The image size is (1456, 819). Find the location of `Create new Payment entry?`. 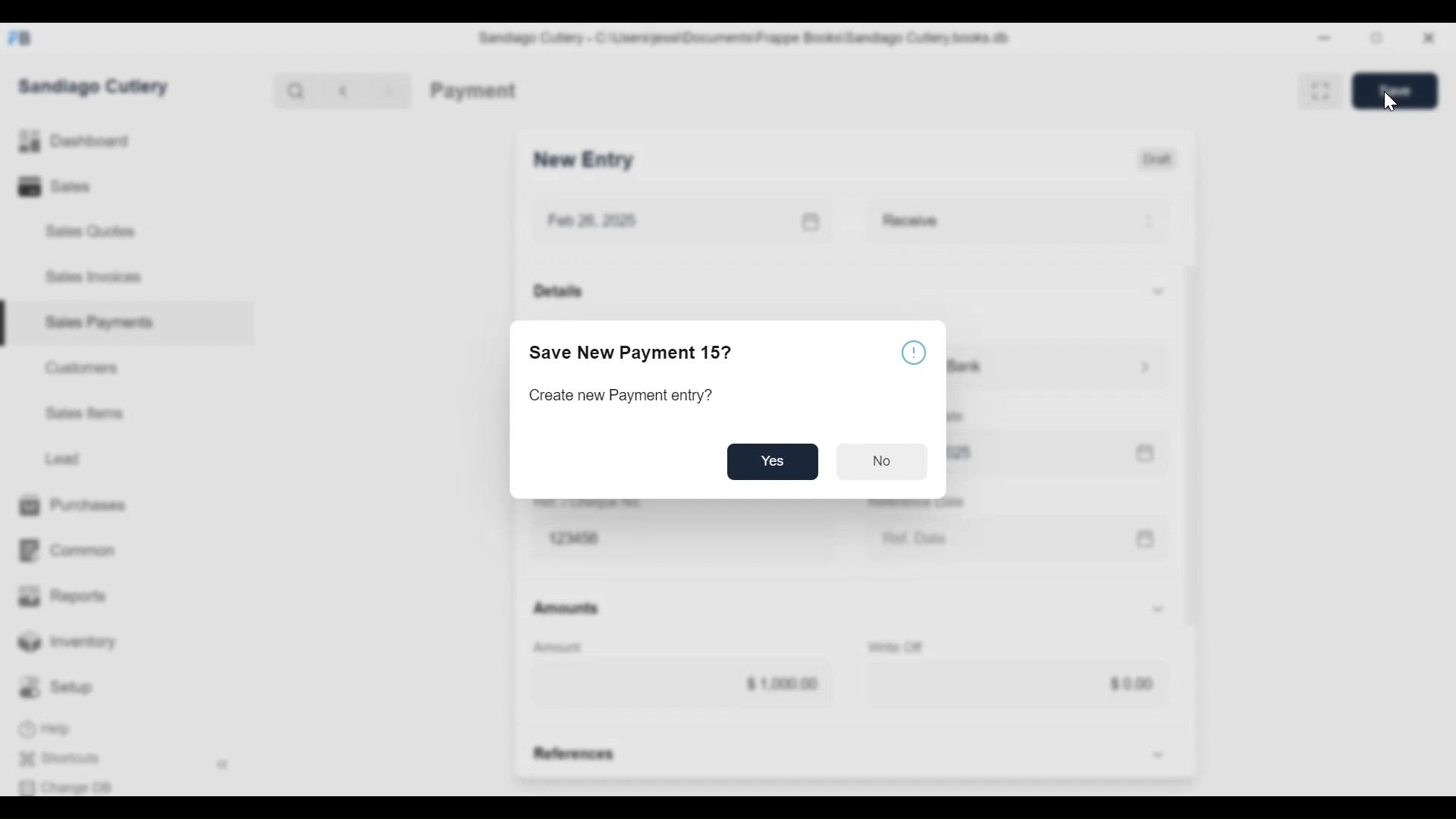

Create new Payment entry? is located at coordinates (619, 396).